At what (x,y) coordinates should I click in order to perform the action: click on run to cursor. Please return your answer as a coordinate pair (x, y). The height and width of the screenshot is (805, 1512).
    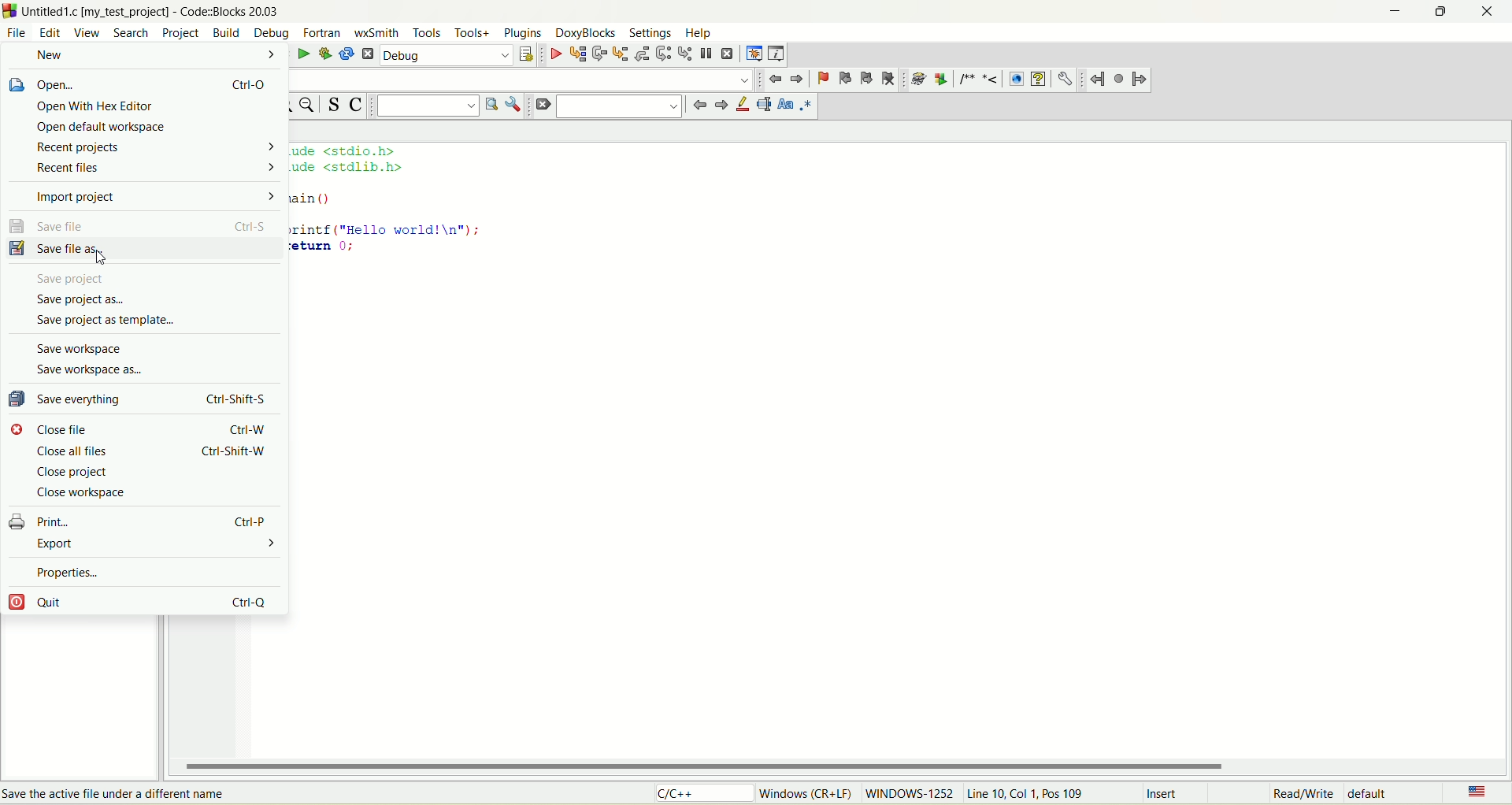
    Looking at the image, I should click on (577, 56).